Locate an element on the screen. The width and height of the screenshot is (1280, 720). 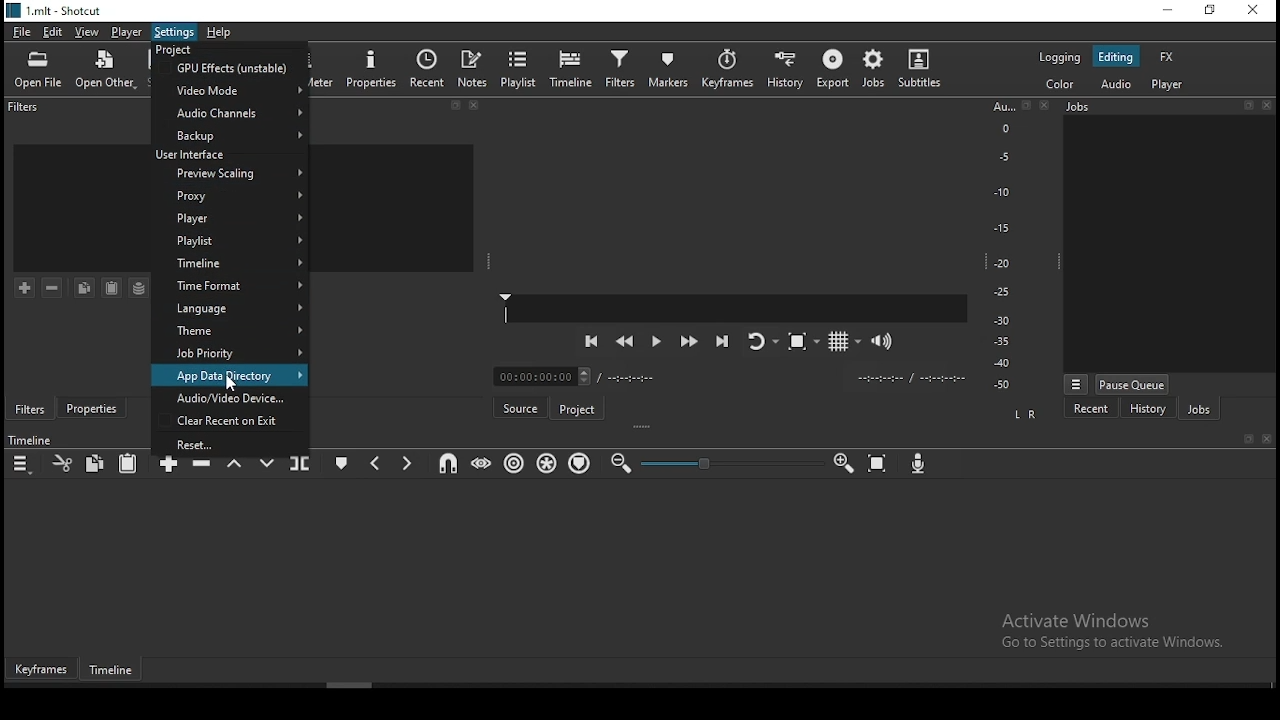
properties is located at coordinates (90, 410).